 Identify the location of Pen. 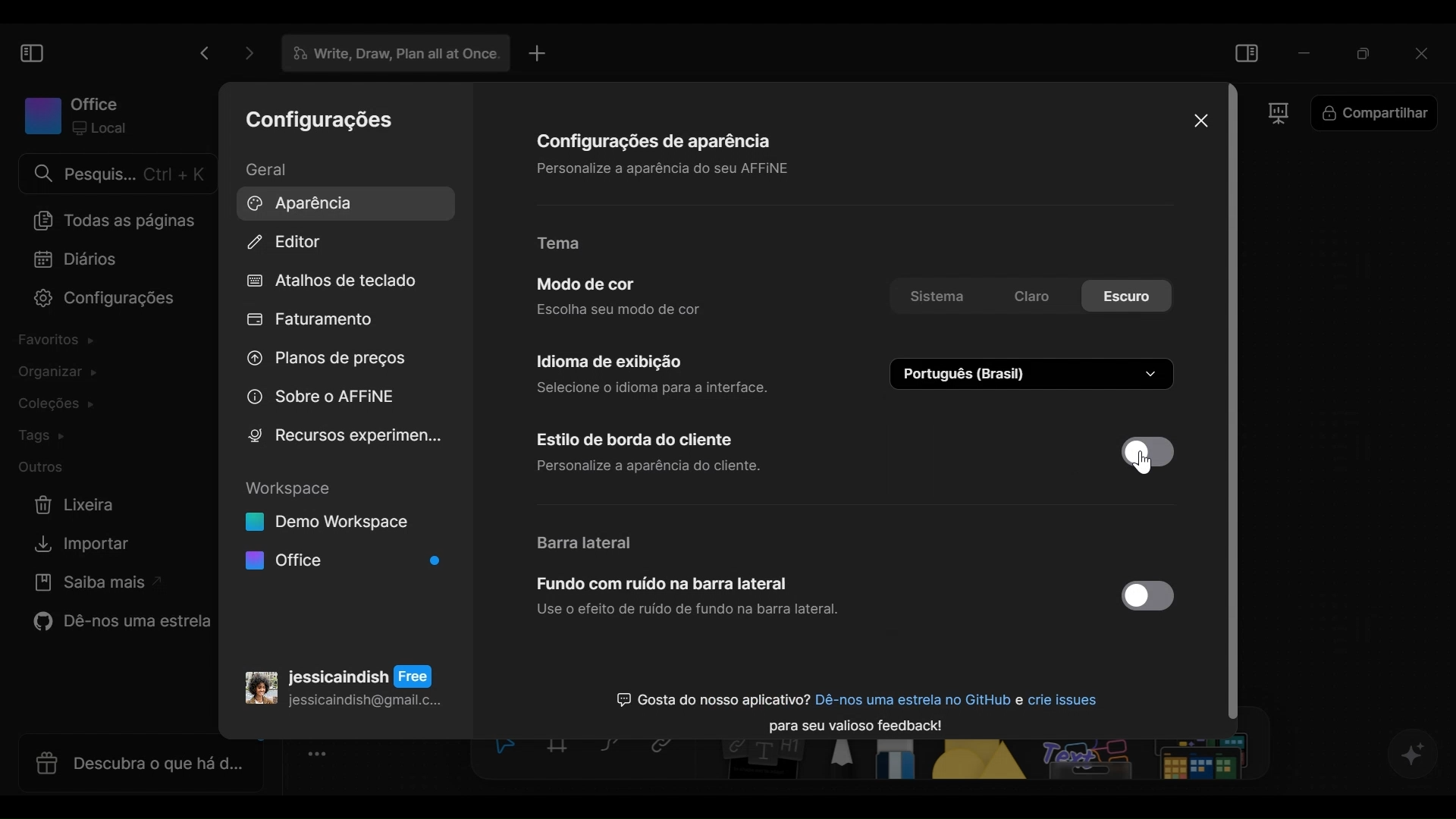
(843, 761).